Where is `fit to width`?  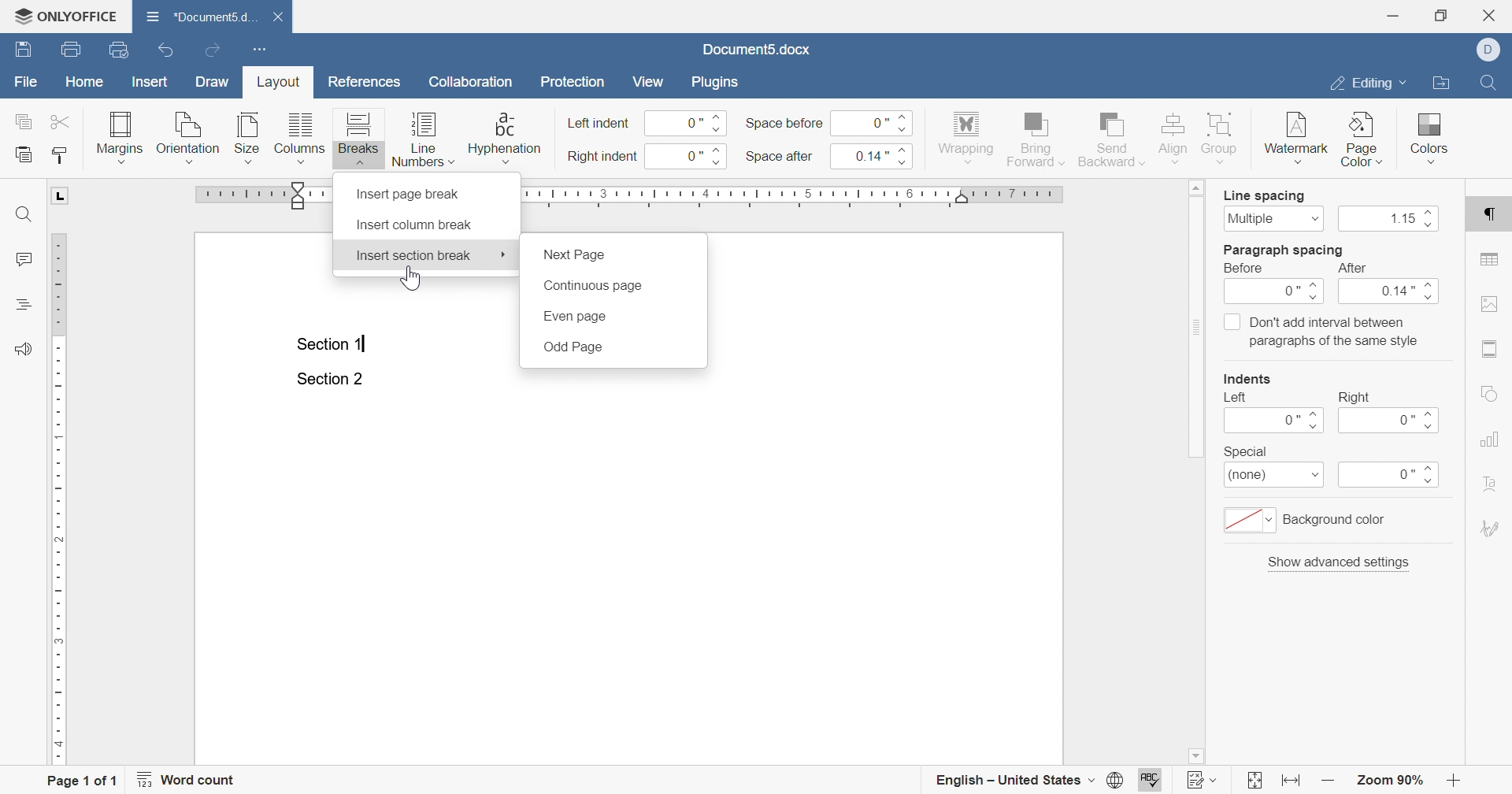
fit to width is located at coordinates (1293, 783).